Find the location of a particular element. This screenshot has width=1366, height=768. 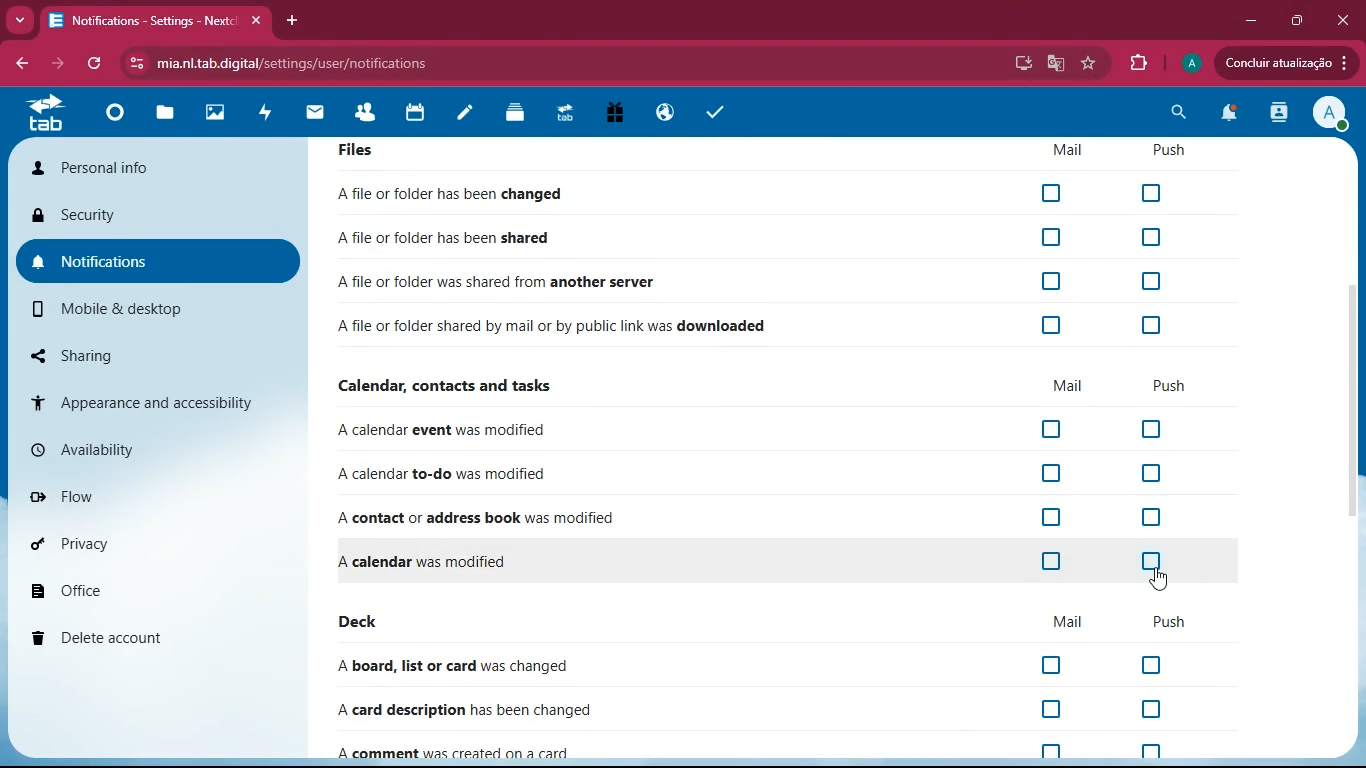

extension is located at coordinates (1138, 60).